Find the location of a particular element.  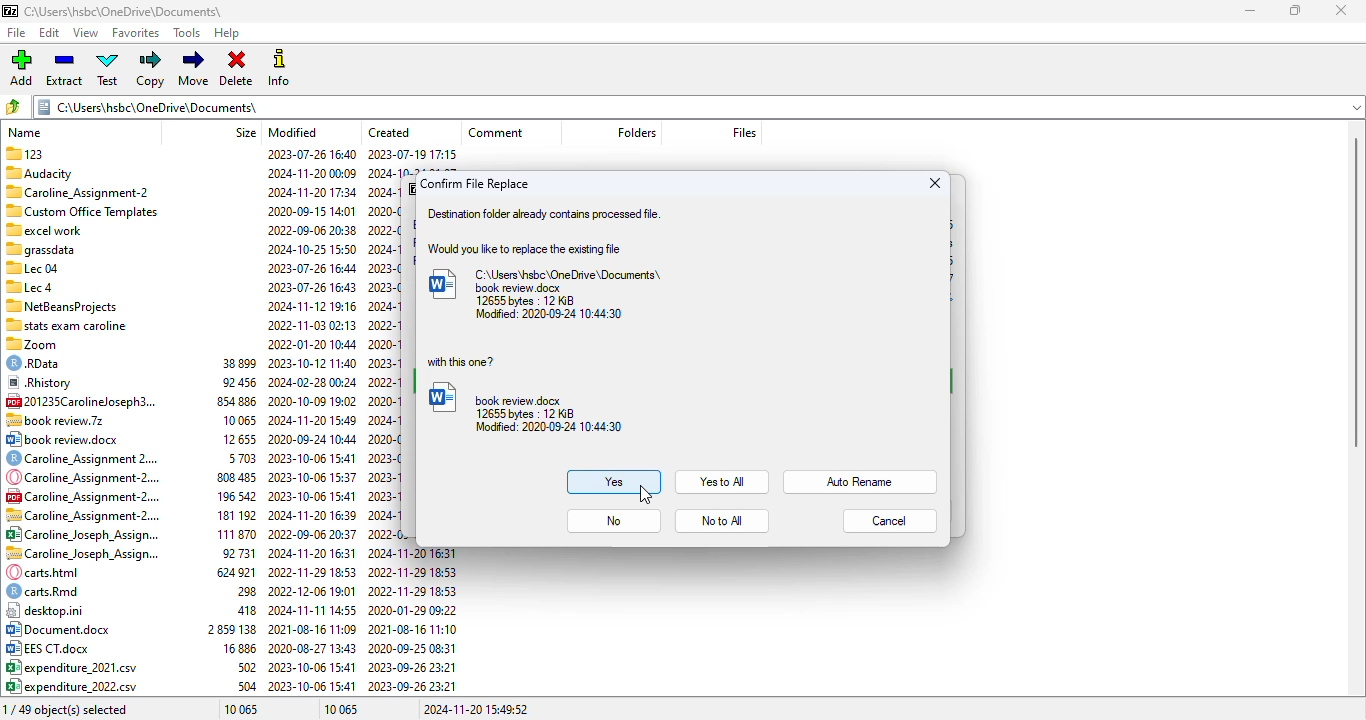

book review.docx is located at coordinates (526, 406).